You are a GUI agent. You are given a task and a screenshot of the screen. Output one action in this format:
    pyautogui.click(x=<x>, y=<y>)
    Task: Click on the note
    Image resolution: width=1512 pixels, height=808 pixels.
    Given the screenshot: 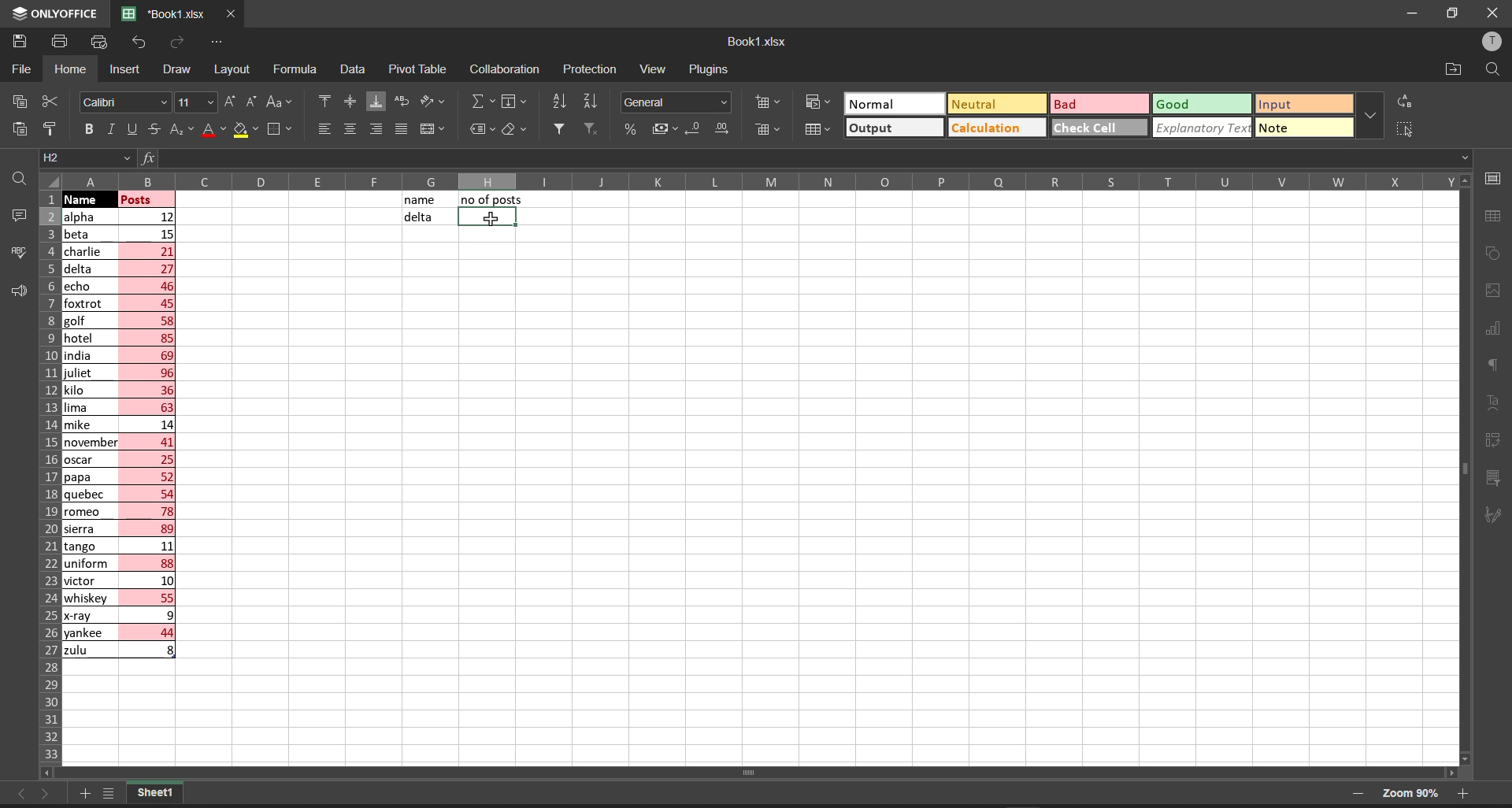 What is the action you would take?
    pyautogui.click(x=1285, y=126)
    